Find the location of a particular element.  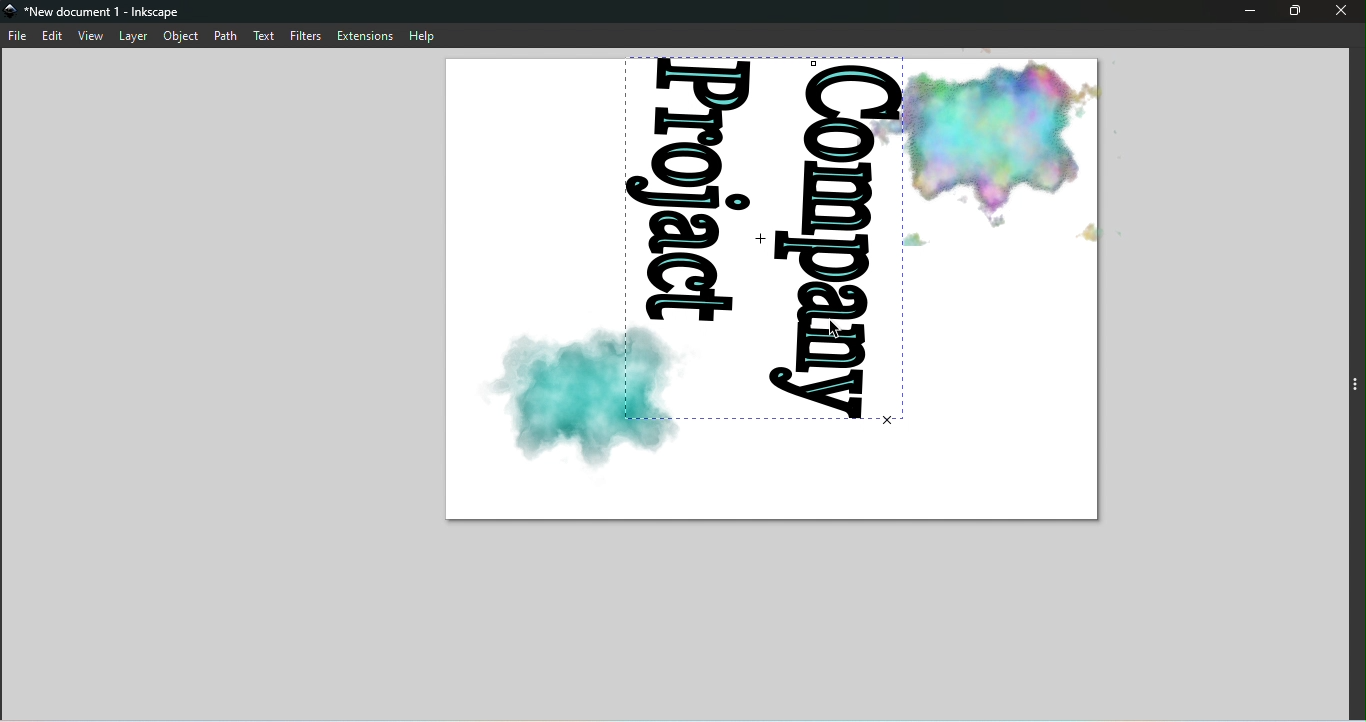

Edit is located at coordinates (55, 36).